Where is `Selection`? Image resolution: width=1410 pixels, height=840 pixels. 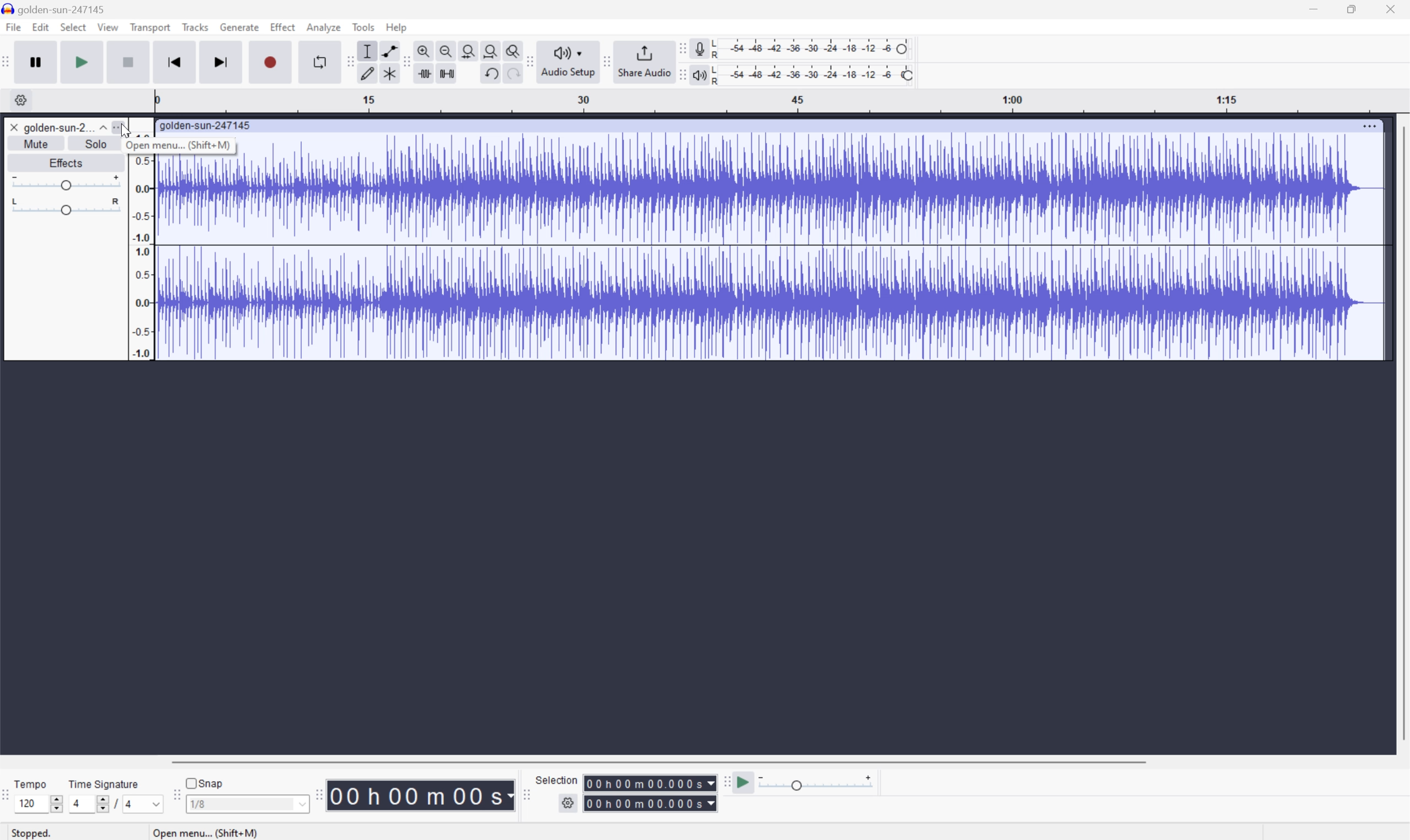 Selection is located at coordinates (651, 793).